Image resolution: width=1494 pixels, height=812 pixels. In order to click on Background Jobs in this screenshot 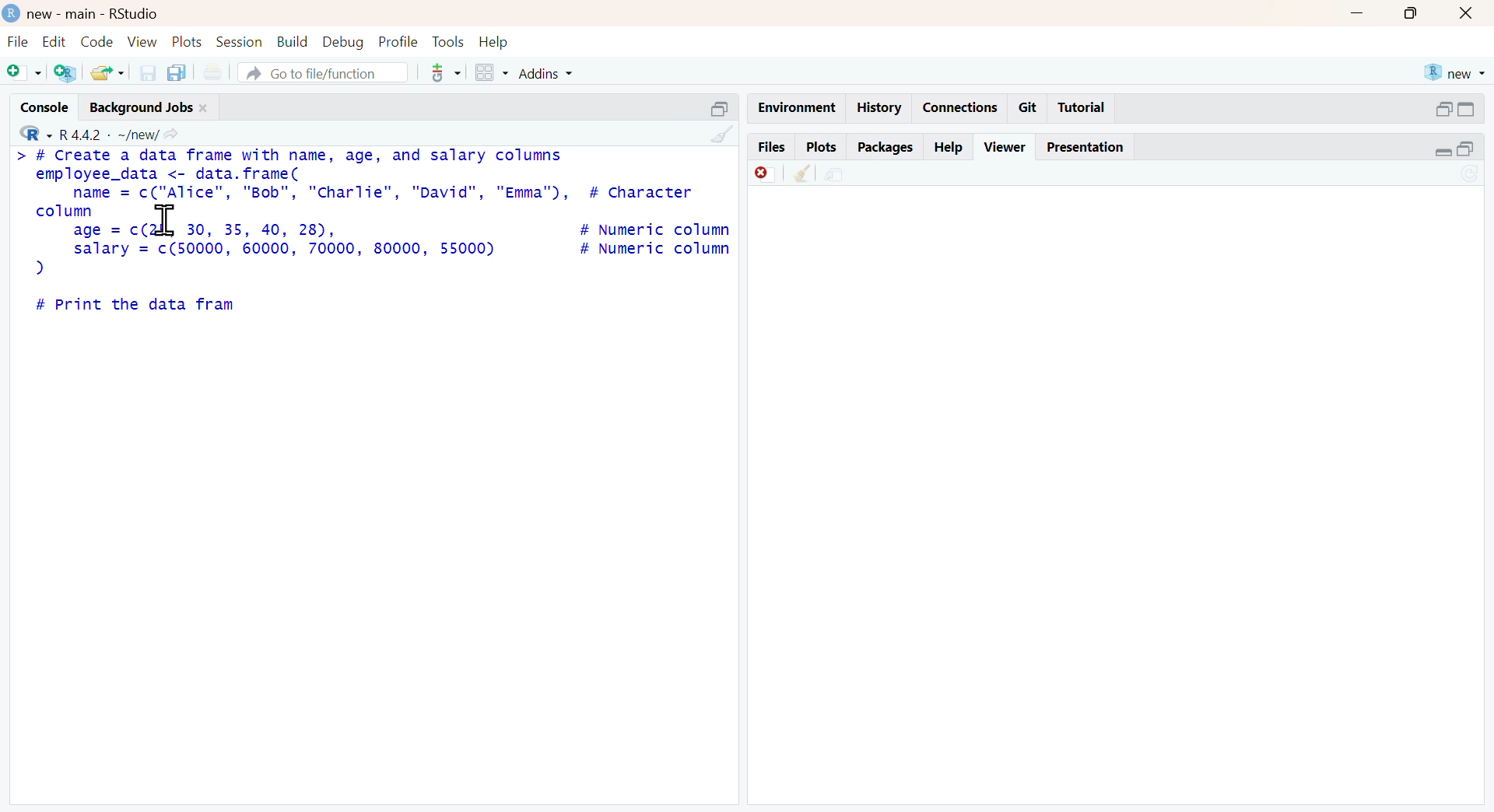, I will do `click(151, 108)`.